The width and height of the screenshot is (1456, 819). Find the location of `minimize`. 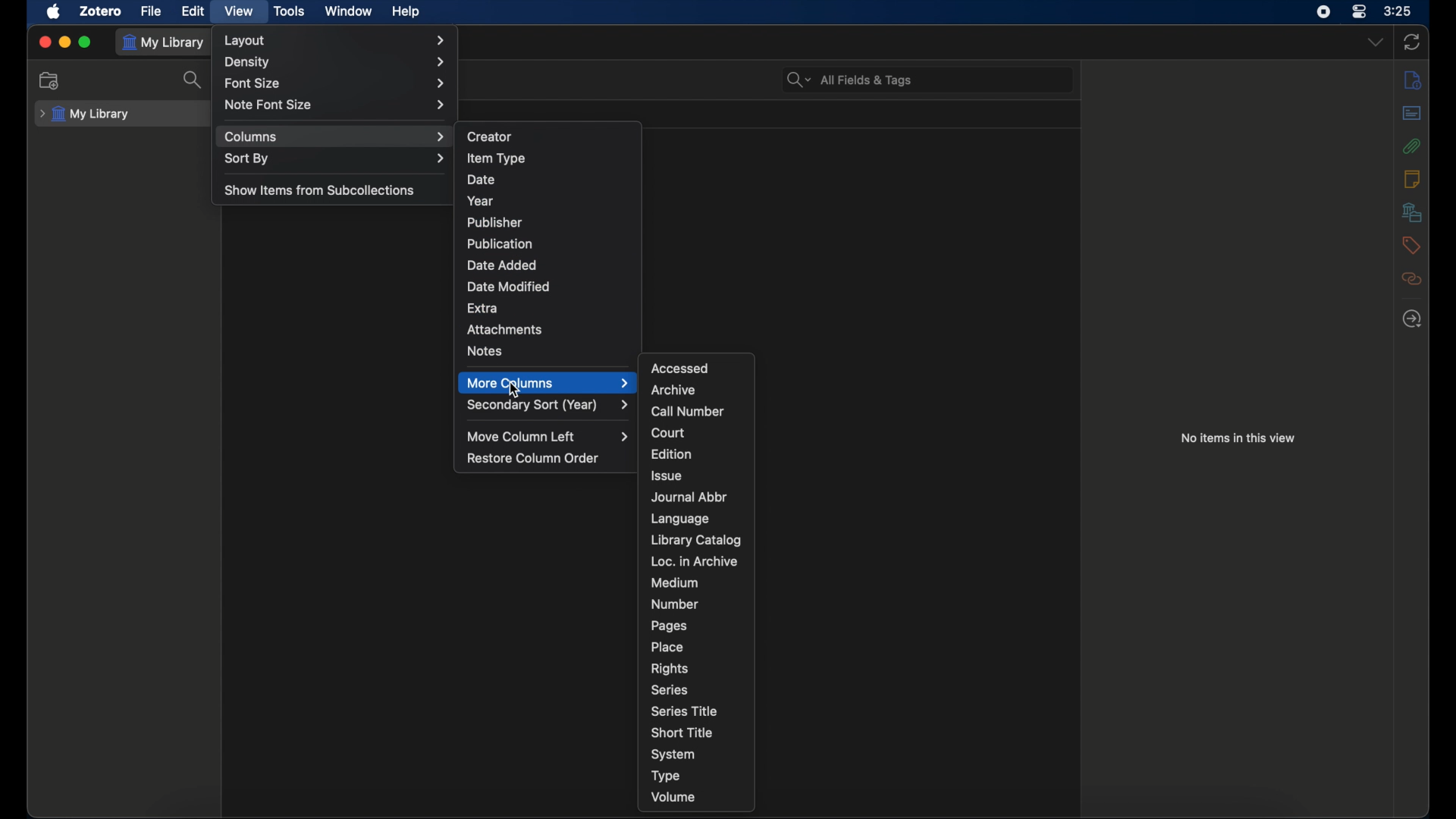

minimize is located at coordinates (65, 42).